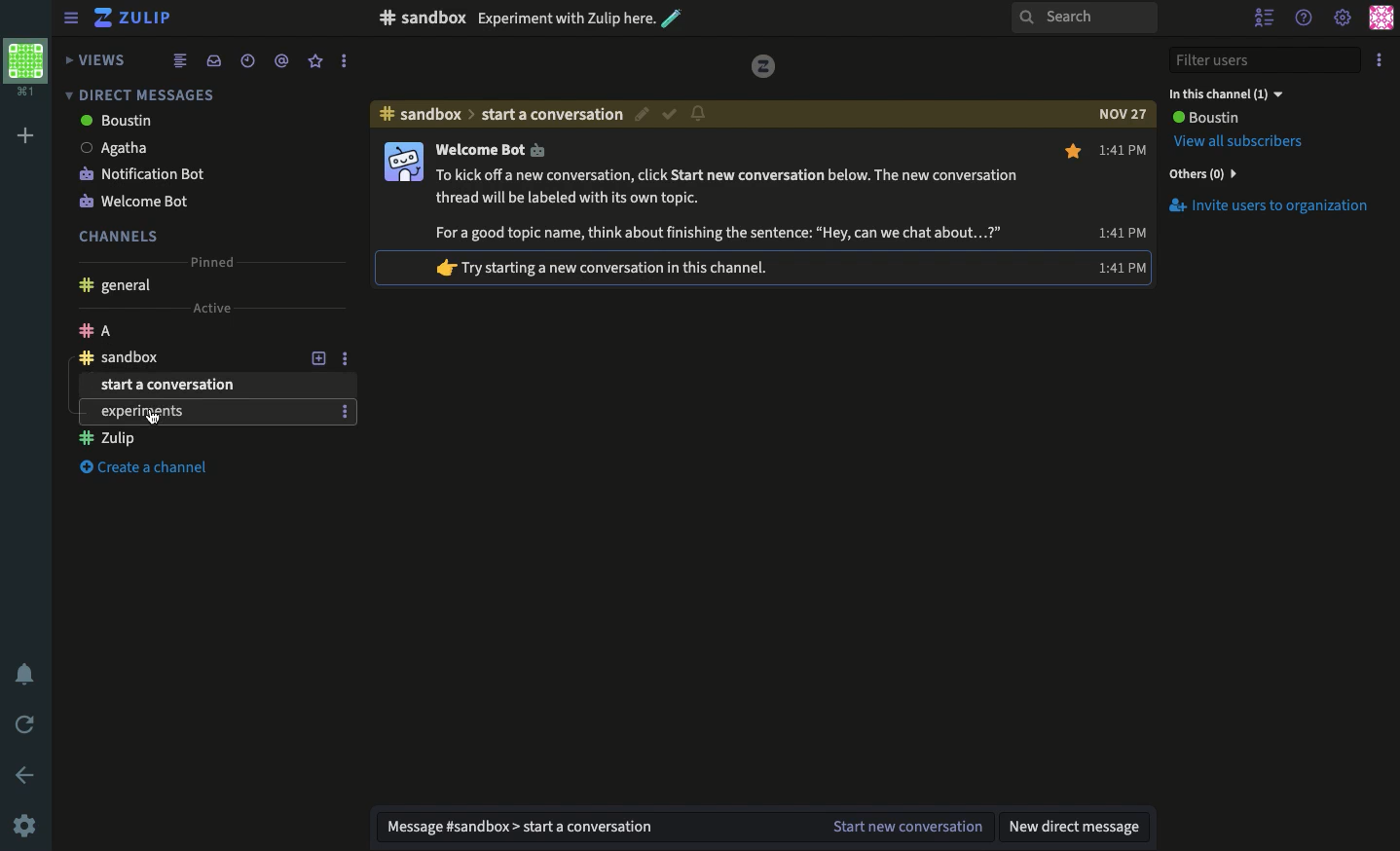 This screenshot has height=851, width=1400. What do you see at coordinates (1305, 15) in the screenshot?
I see `Help` at bounding box center [1305, 15].